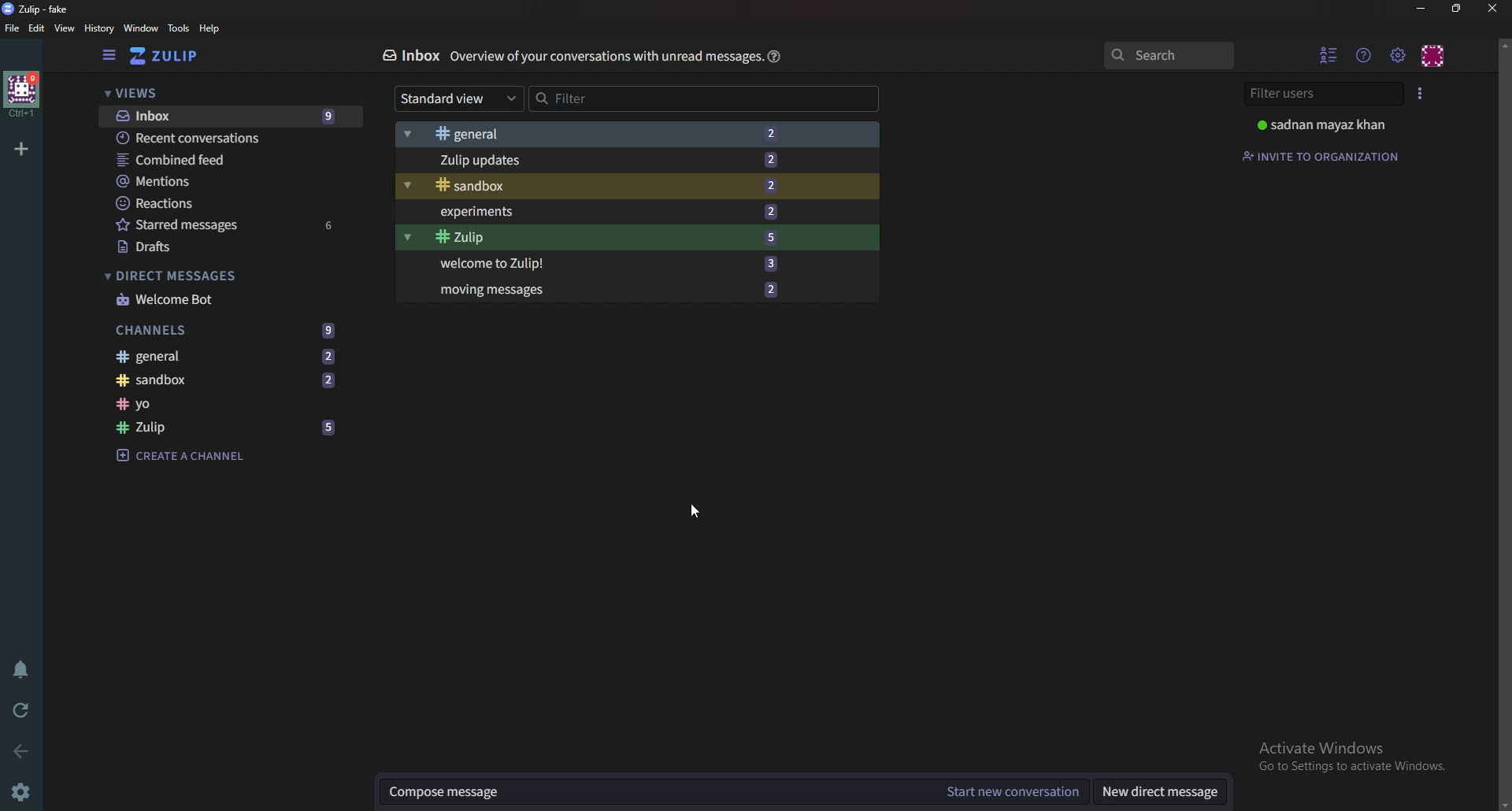  Describe the element at coordinates (13, 29) in the screenshot. I see `File` at that location.